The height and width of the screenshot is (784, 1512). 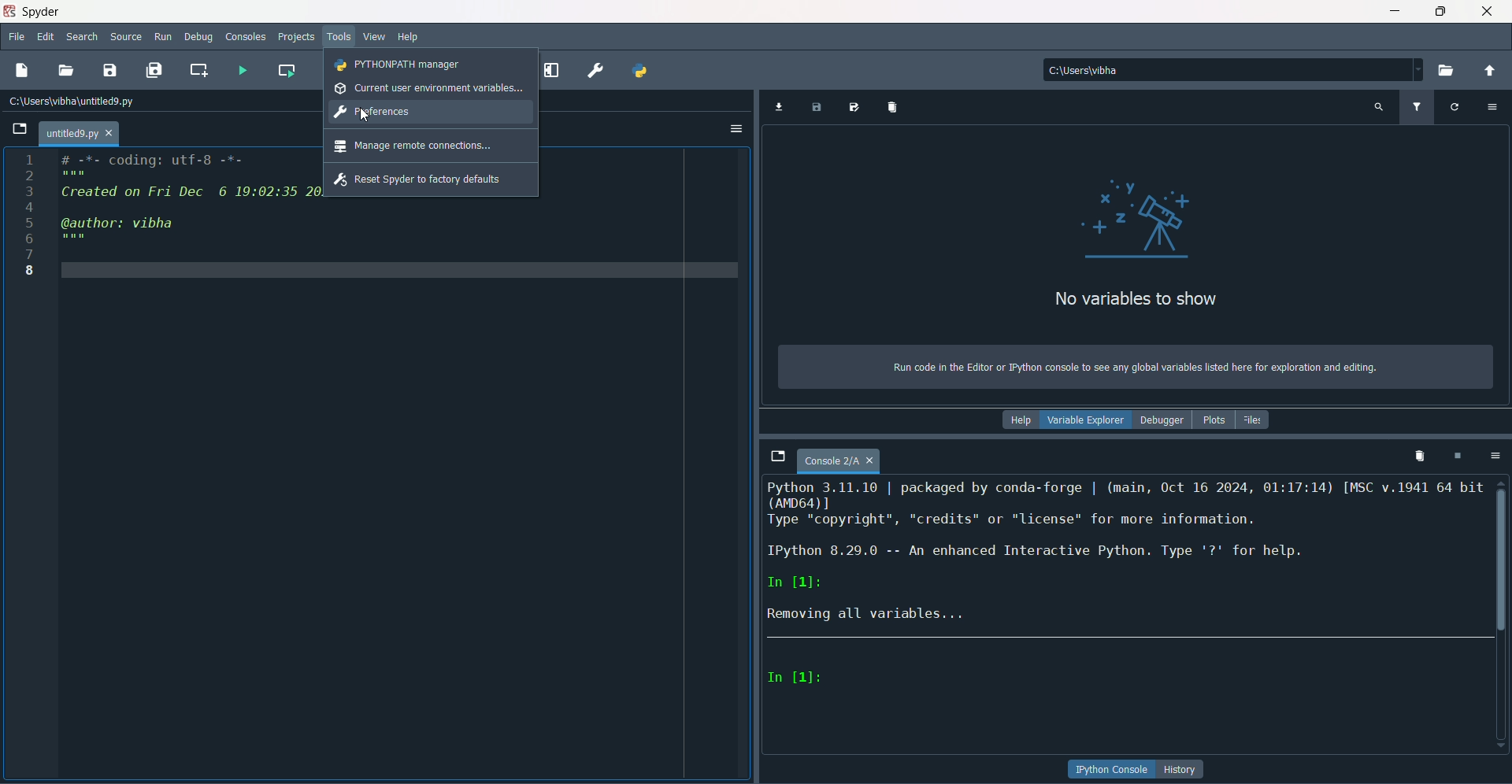 I want to click on save data, so click(x=817, y=109).